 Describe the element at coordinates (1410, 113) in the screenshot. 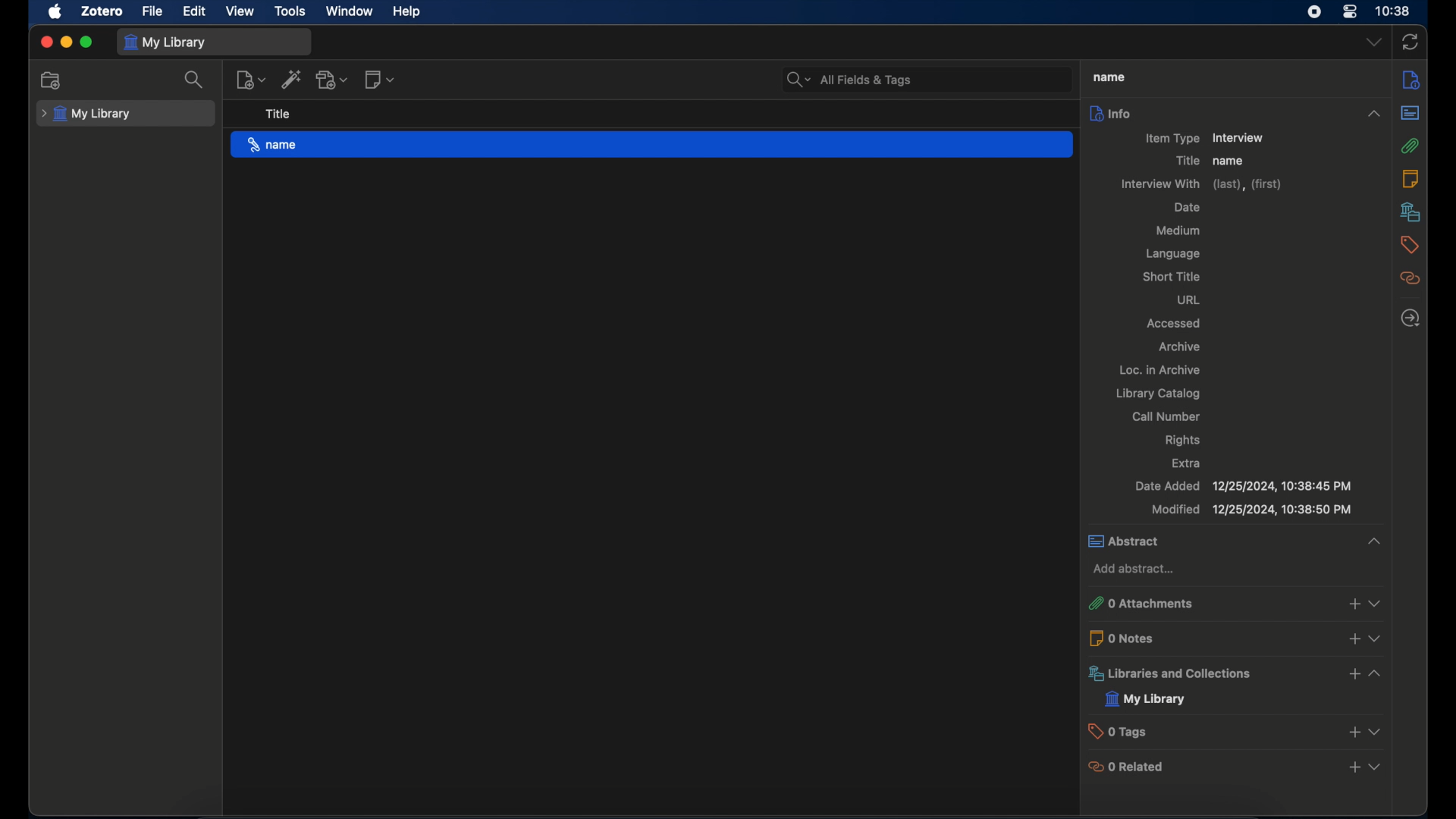

I see `abstract` at that location.